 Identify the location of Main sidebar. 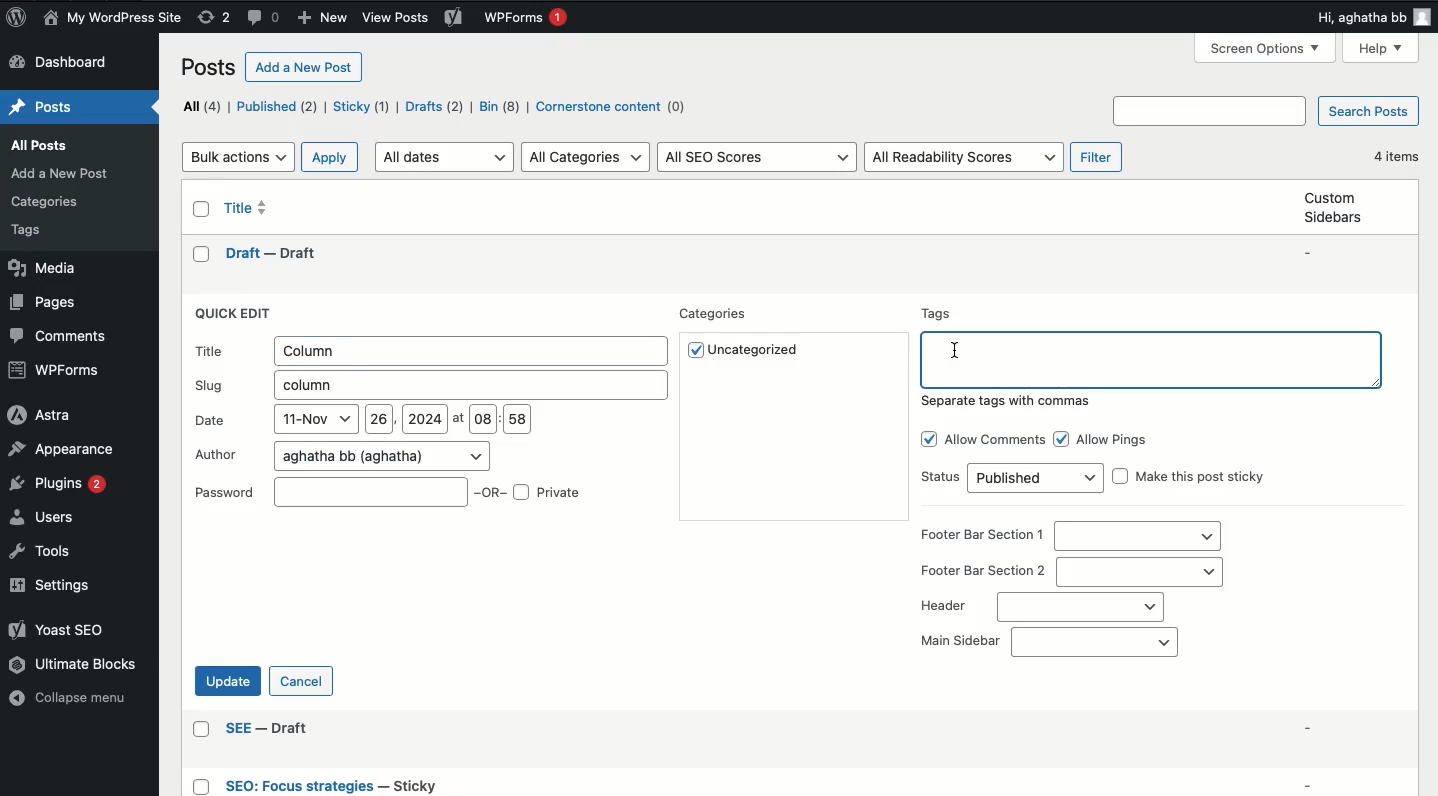
(1044, 641).